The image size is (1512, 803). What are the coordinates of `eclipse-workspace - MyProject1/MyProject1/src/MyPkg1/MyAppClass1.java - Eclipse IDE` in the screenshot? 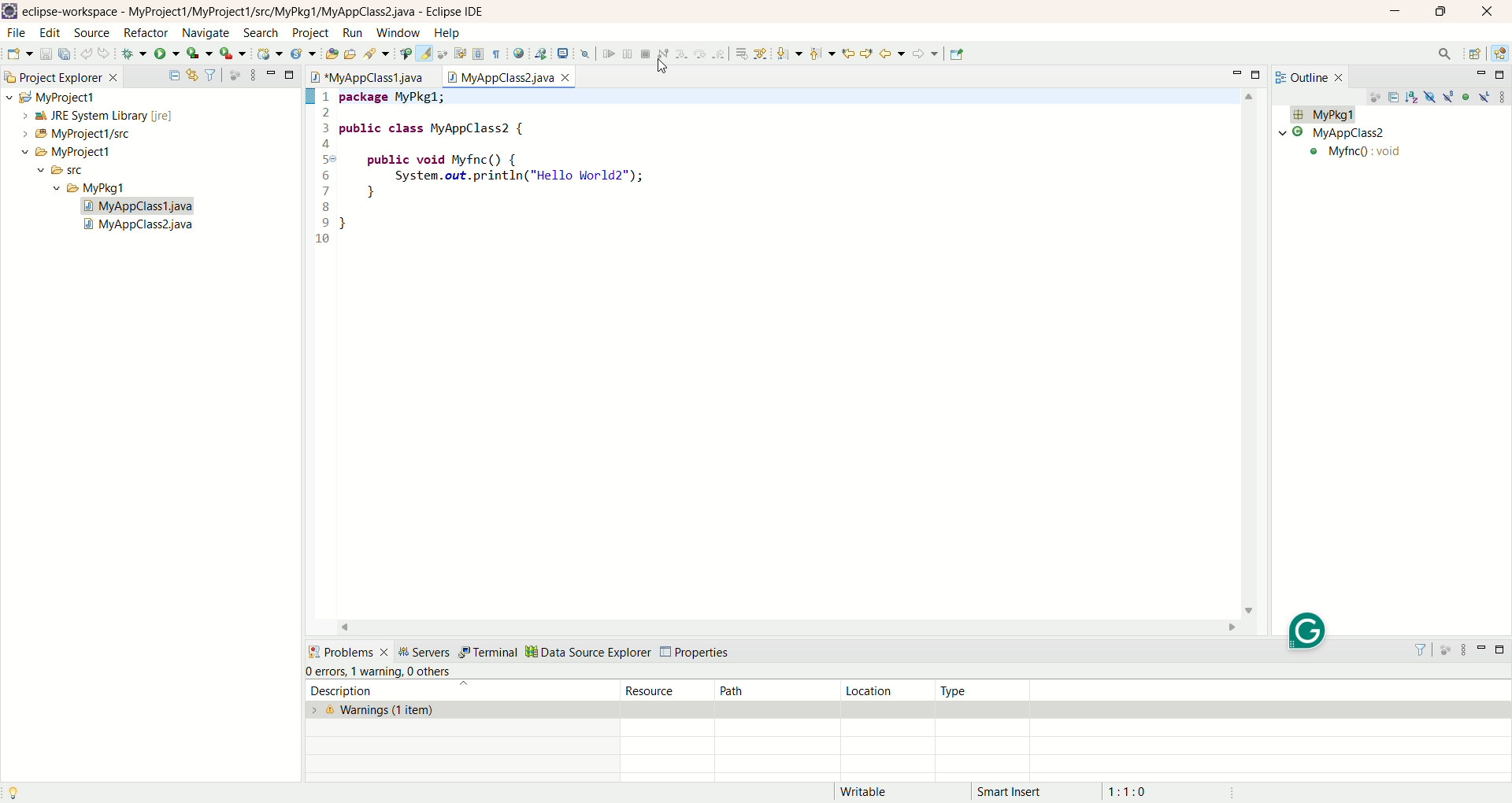 It's located at (258, 12).